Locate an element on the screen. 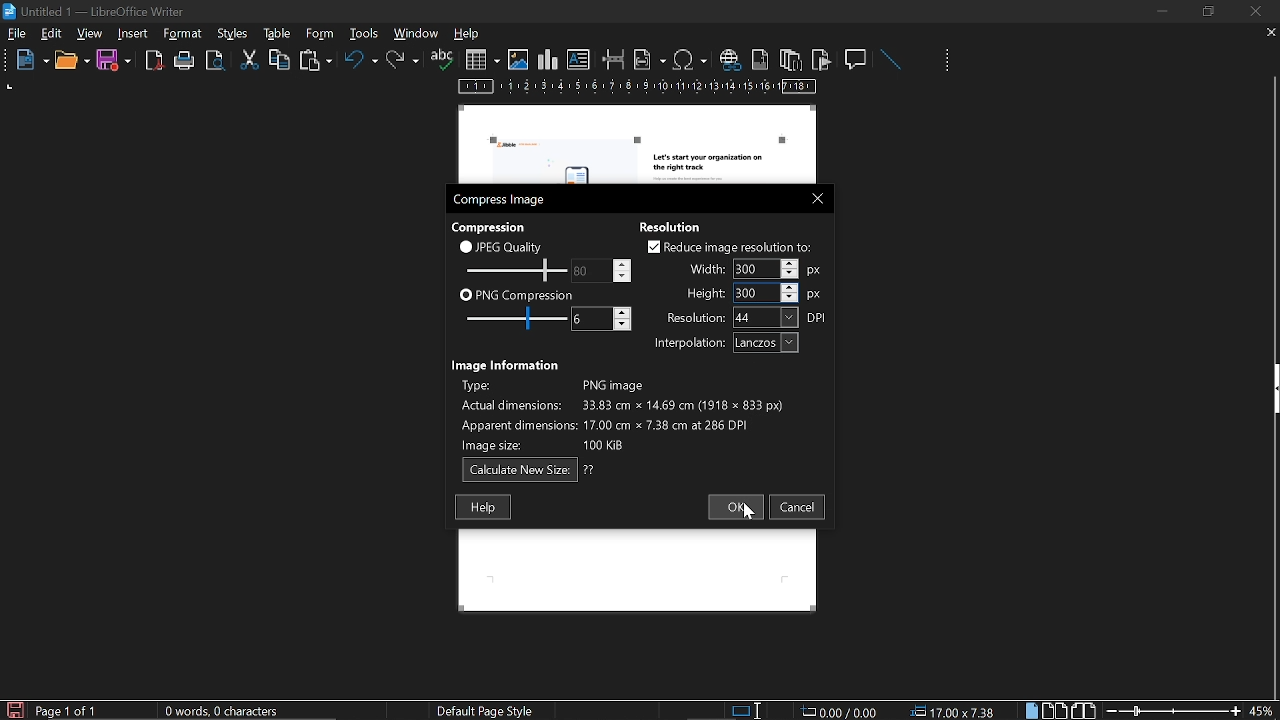  insert table is located at coordinates (482, 60).